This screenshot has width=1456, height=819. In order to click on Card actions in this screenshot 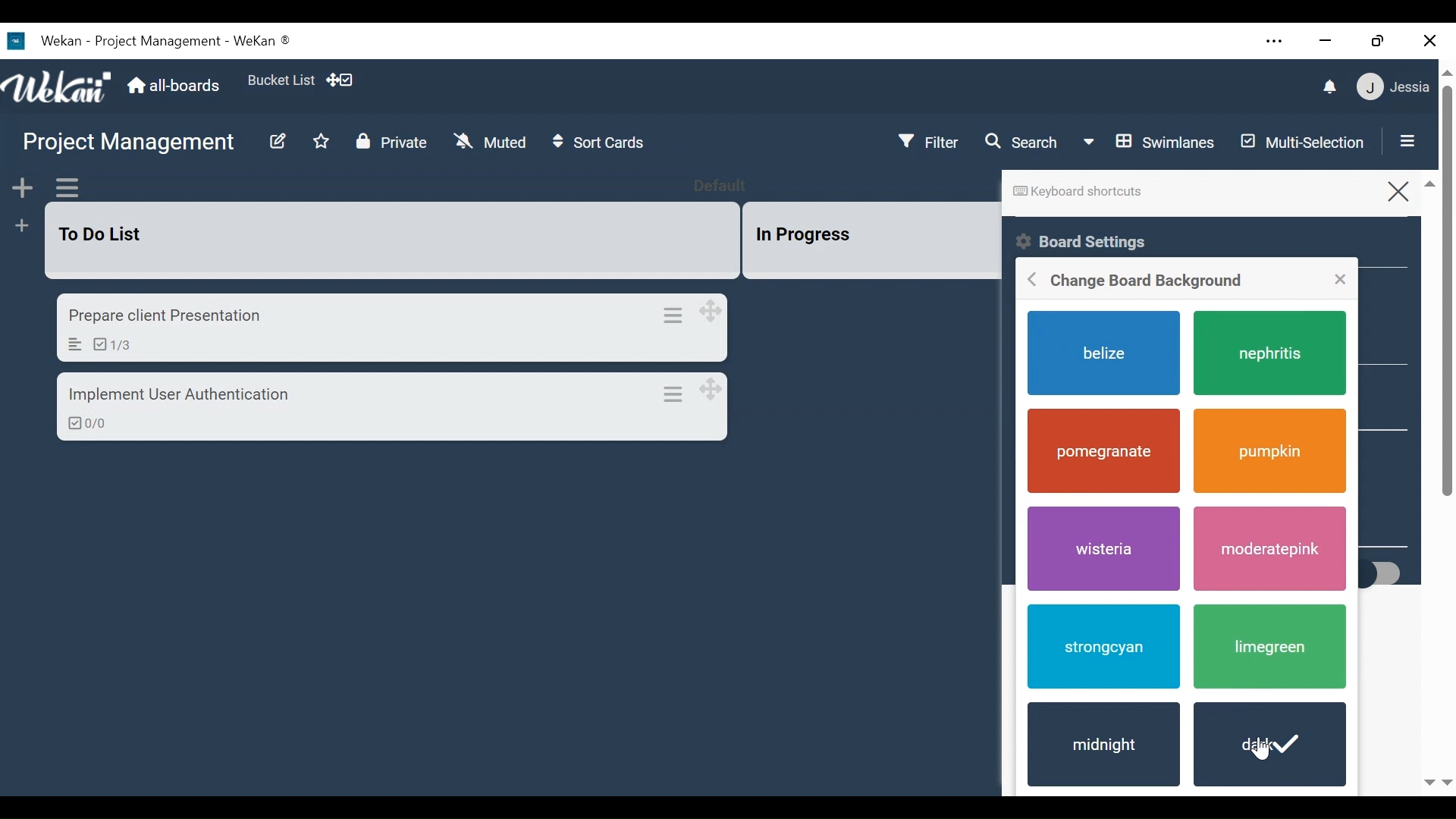, I will do `click(683, 394)`.